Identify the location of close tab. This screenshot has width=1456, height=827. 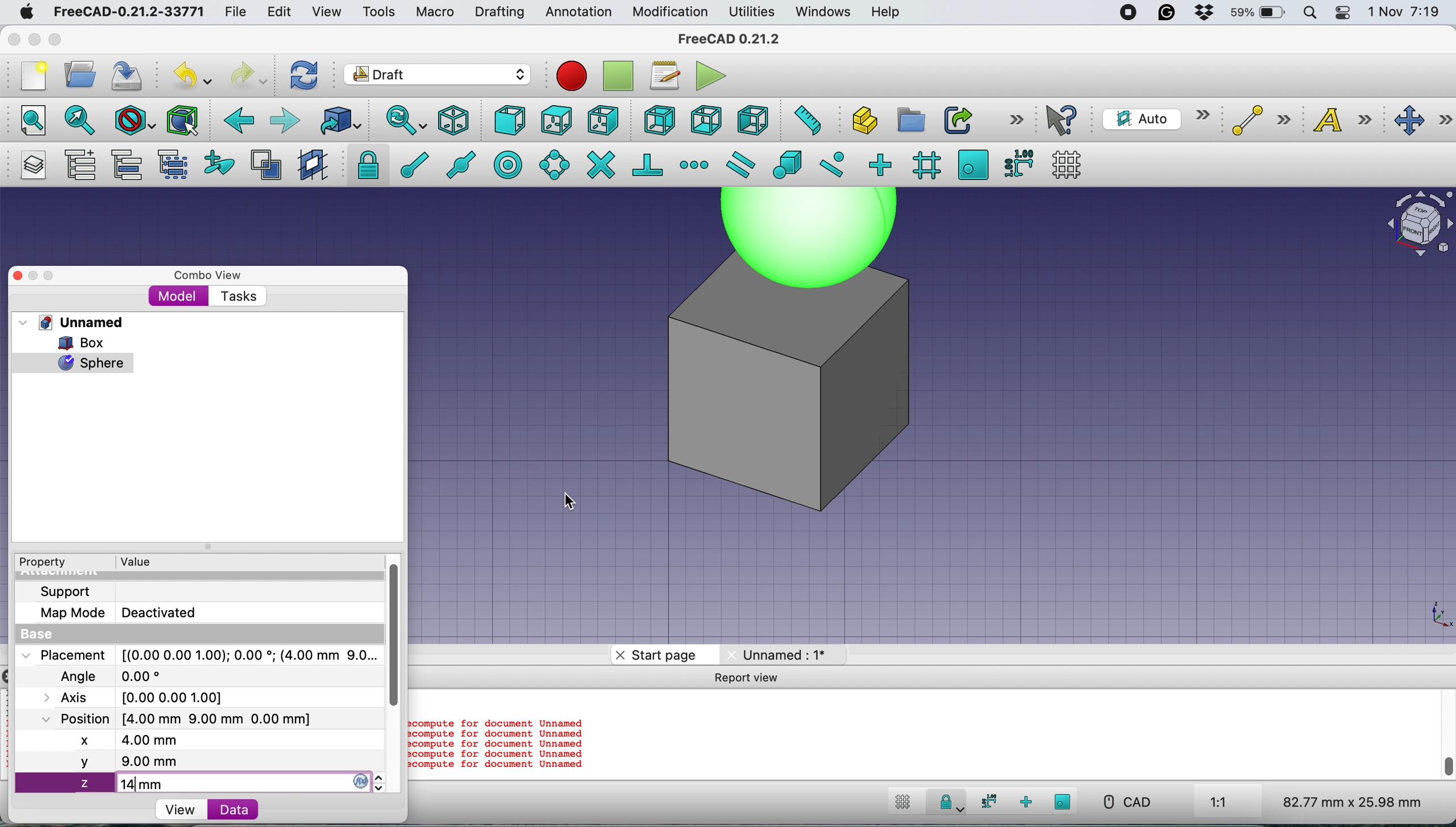
(618, 655).